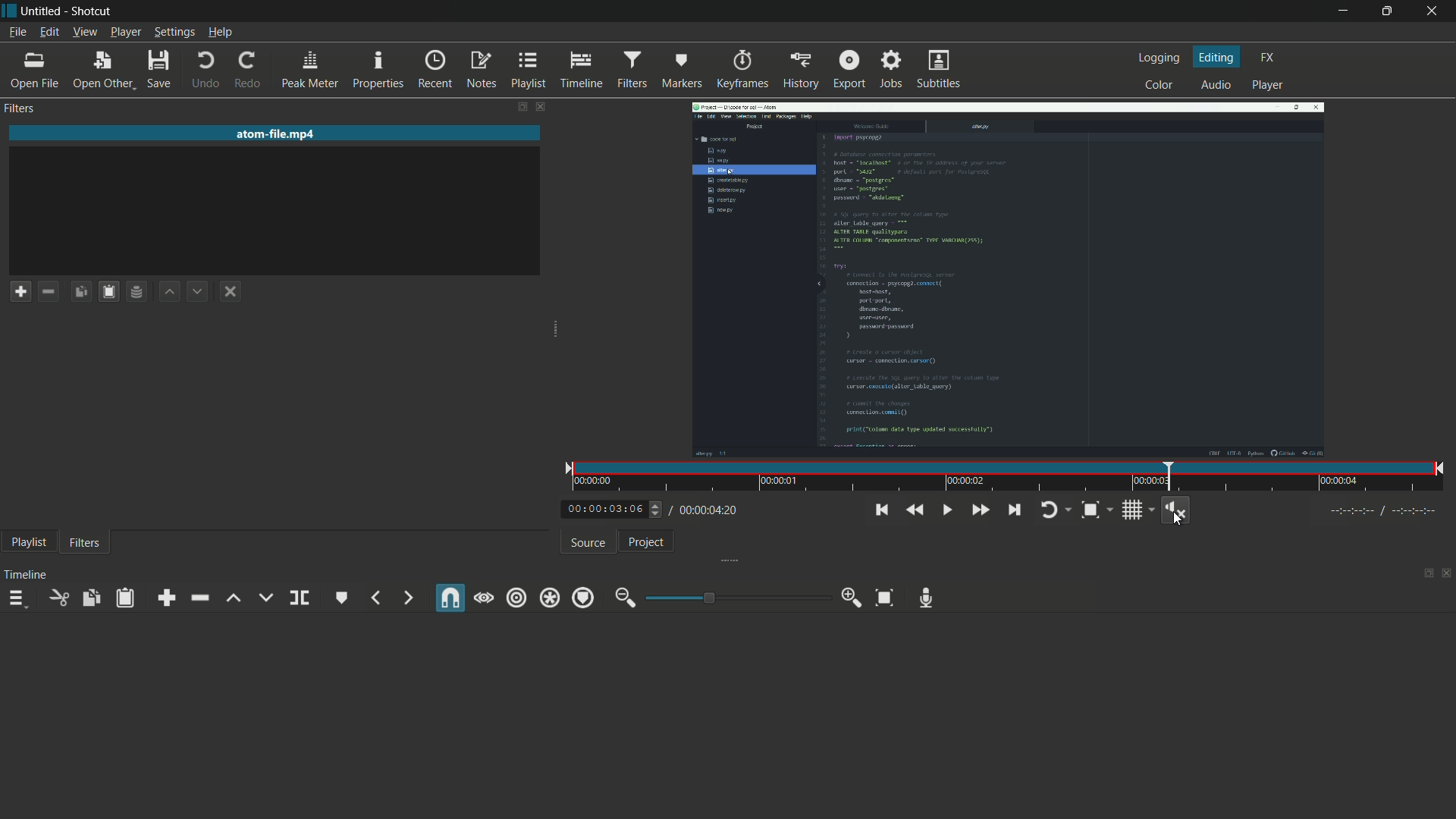 This screenshot has width=1456, height=819. I want to click on logging, so click(1159, 58).